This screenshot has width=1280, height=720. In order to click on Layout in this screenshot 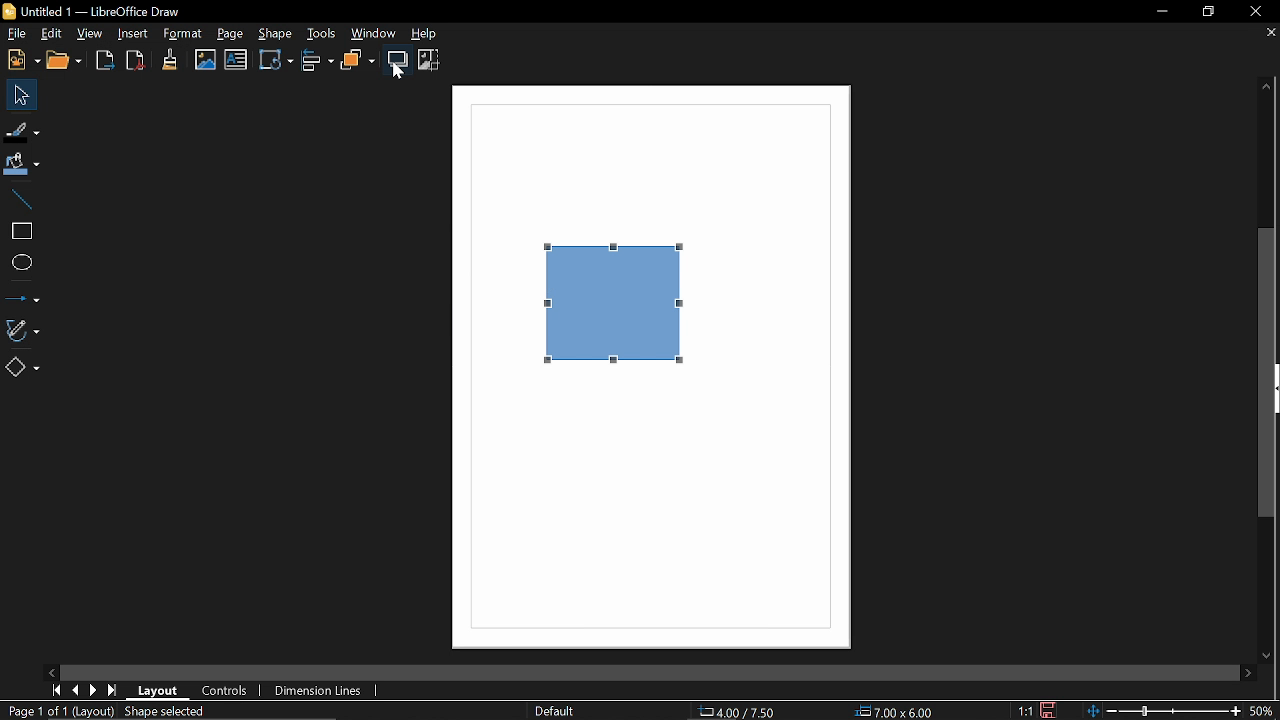, I will do `click(161, 692)`.